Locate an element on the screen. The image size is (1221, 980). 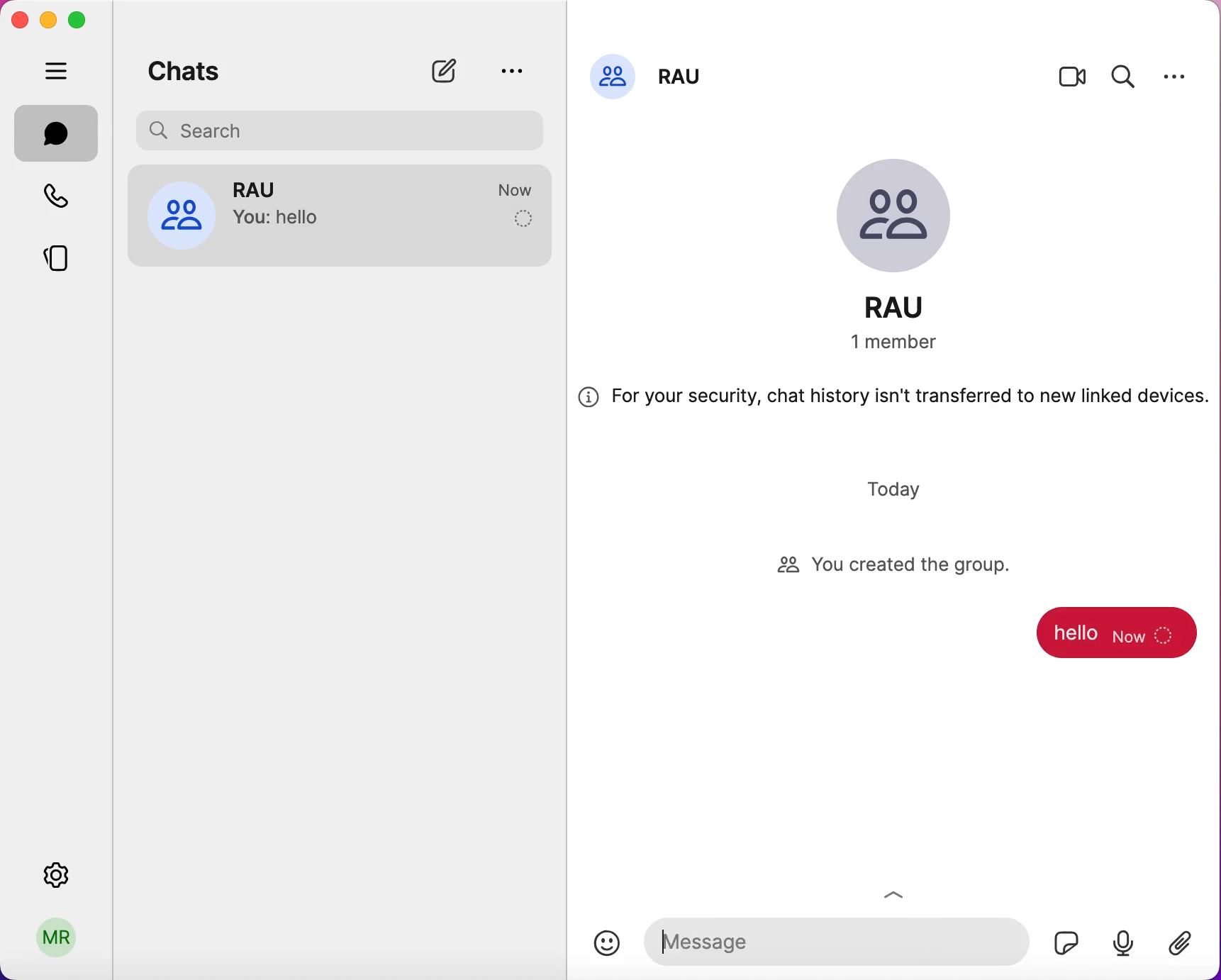
record audio is located at coordinates (1122, 942).